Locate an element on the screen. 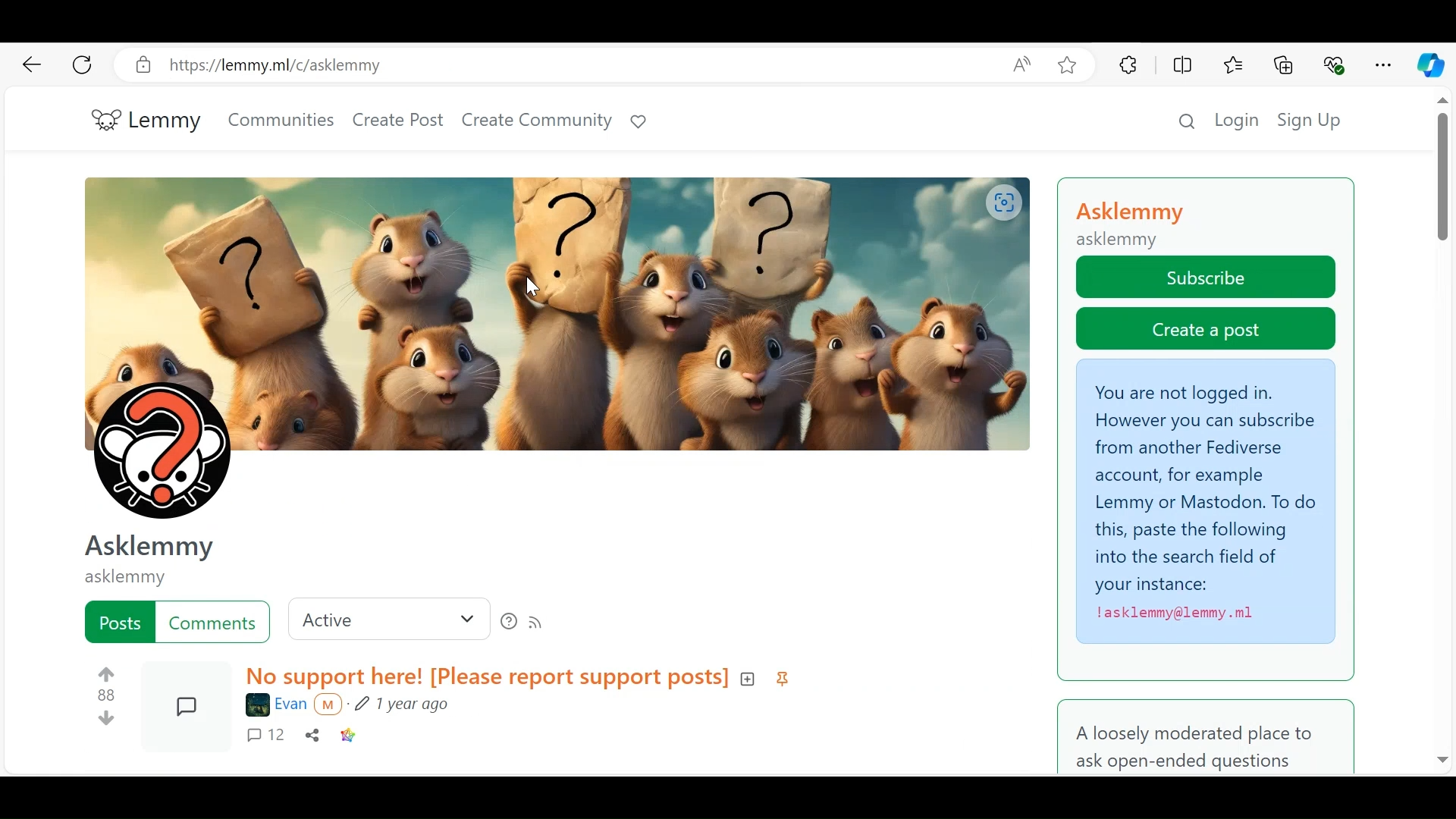  Communities is located at coordinates (281, 121).